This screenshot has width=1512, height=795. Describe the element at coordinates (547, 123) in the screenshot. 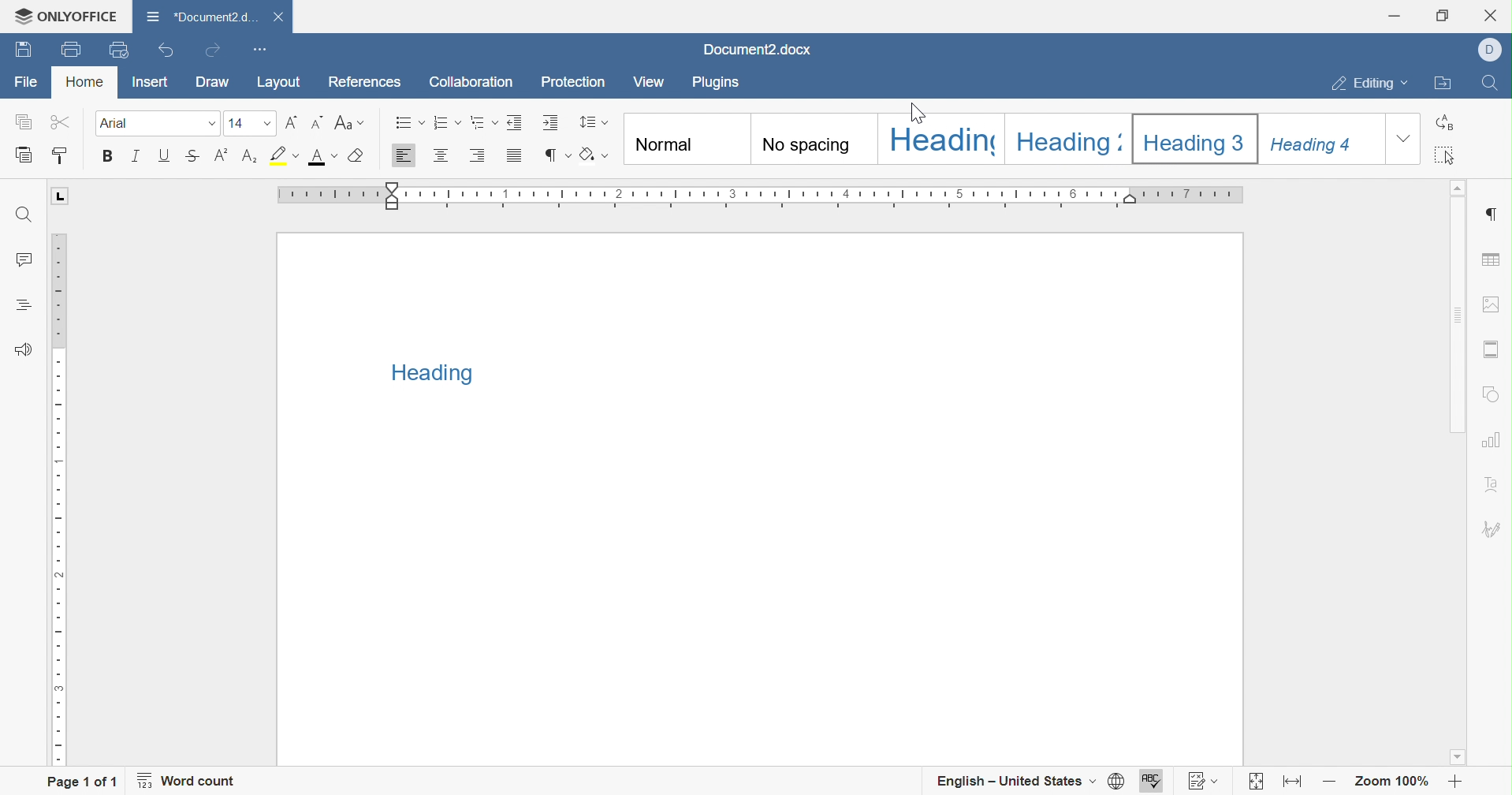

I see `Increase Indent` at that location.